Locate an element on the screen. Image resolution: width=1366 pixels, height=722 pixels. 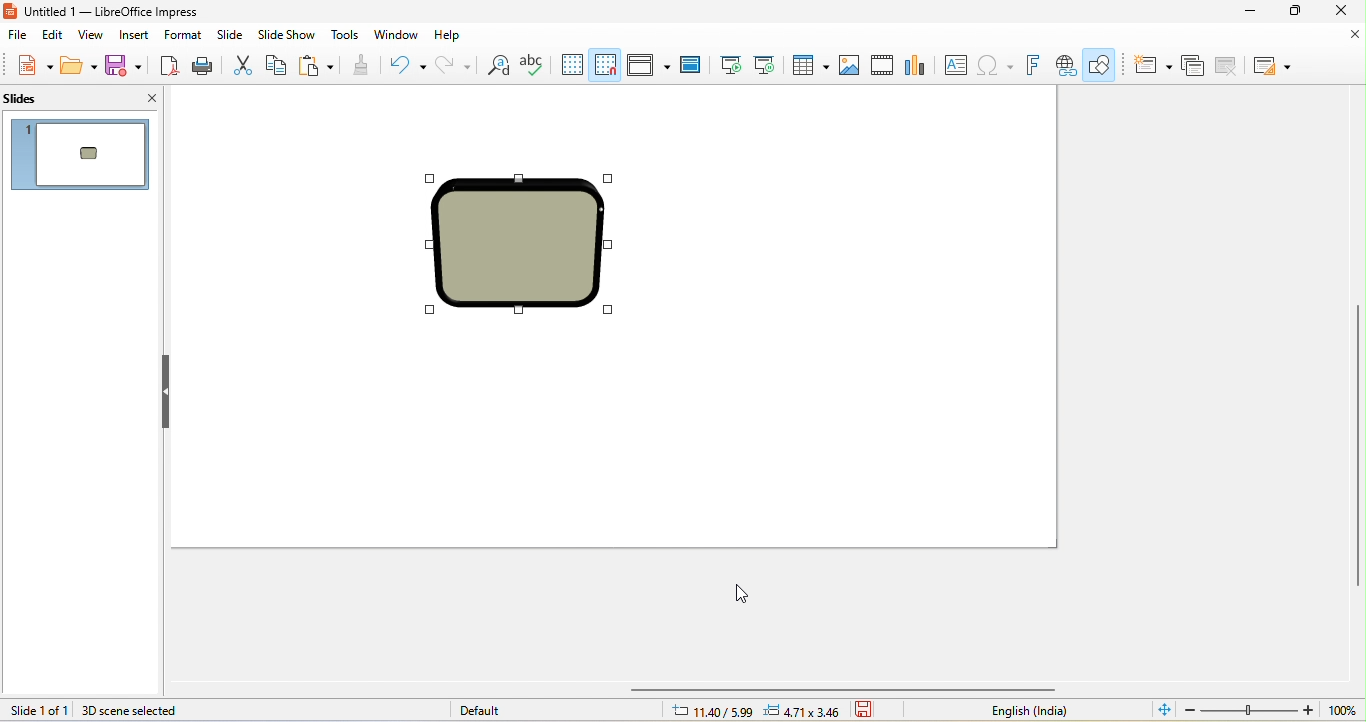
file is located at coordinates (16, 33).